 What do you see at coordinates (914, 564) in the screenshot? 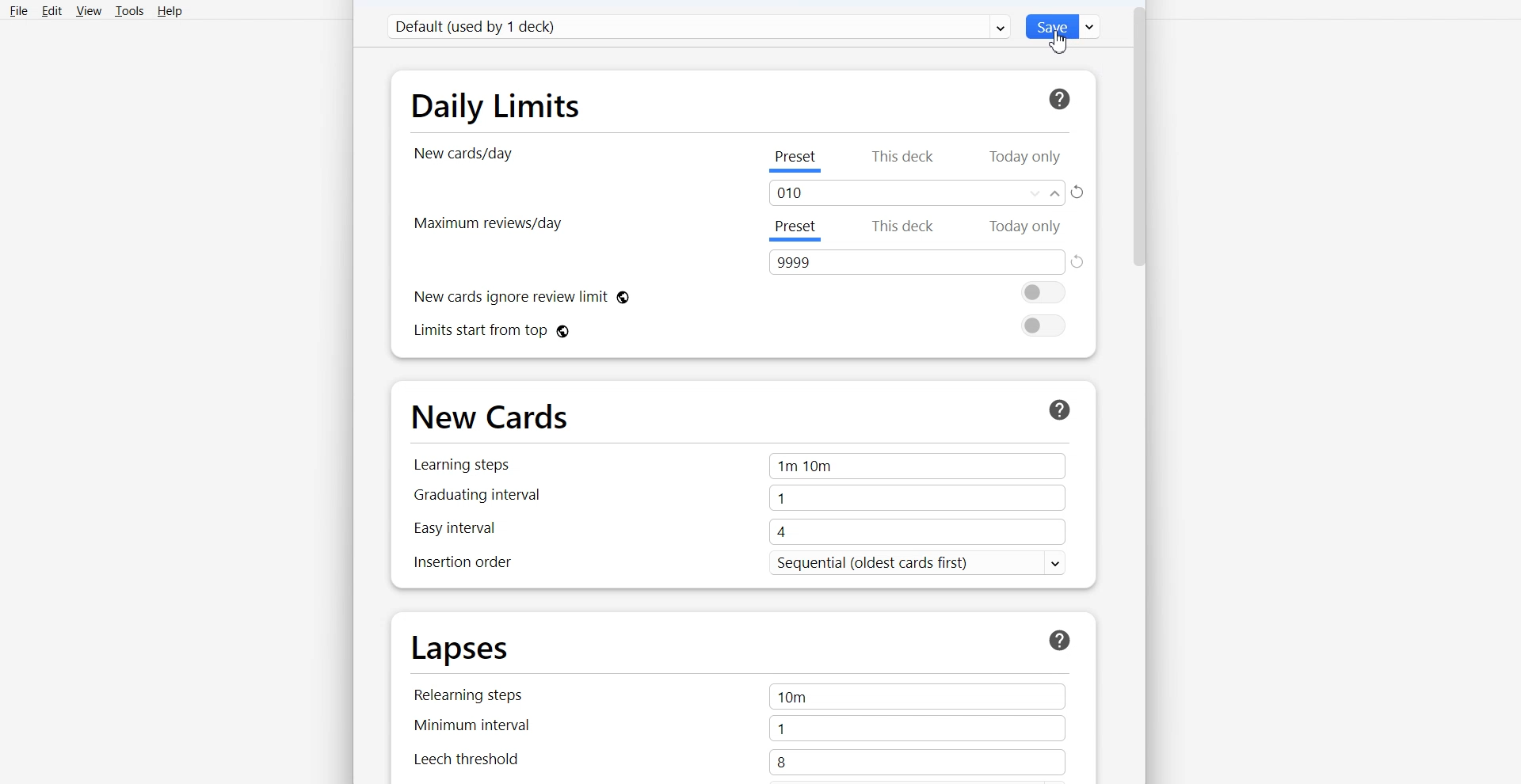
I see `Sequential (oldest cards first) v` at bounding box center [914, 564].